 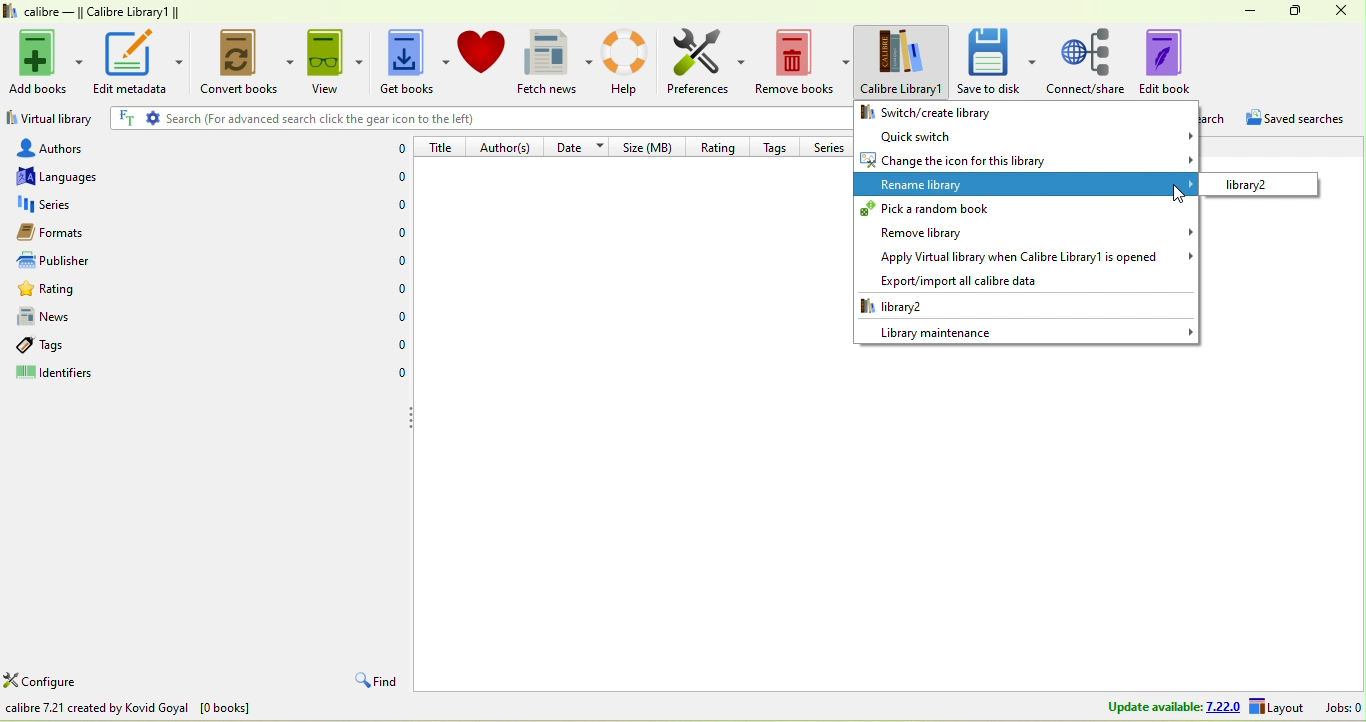 What do you see at coordinates (804, 63) in the screenshot?
I see `remove books` at bounding box center [804, 63].